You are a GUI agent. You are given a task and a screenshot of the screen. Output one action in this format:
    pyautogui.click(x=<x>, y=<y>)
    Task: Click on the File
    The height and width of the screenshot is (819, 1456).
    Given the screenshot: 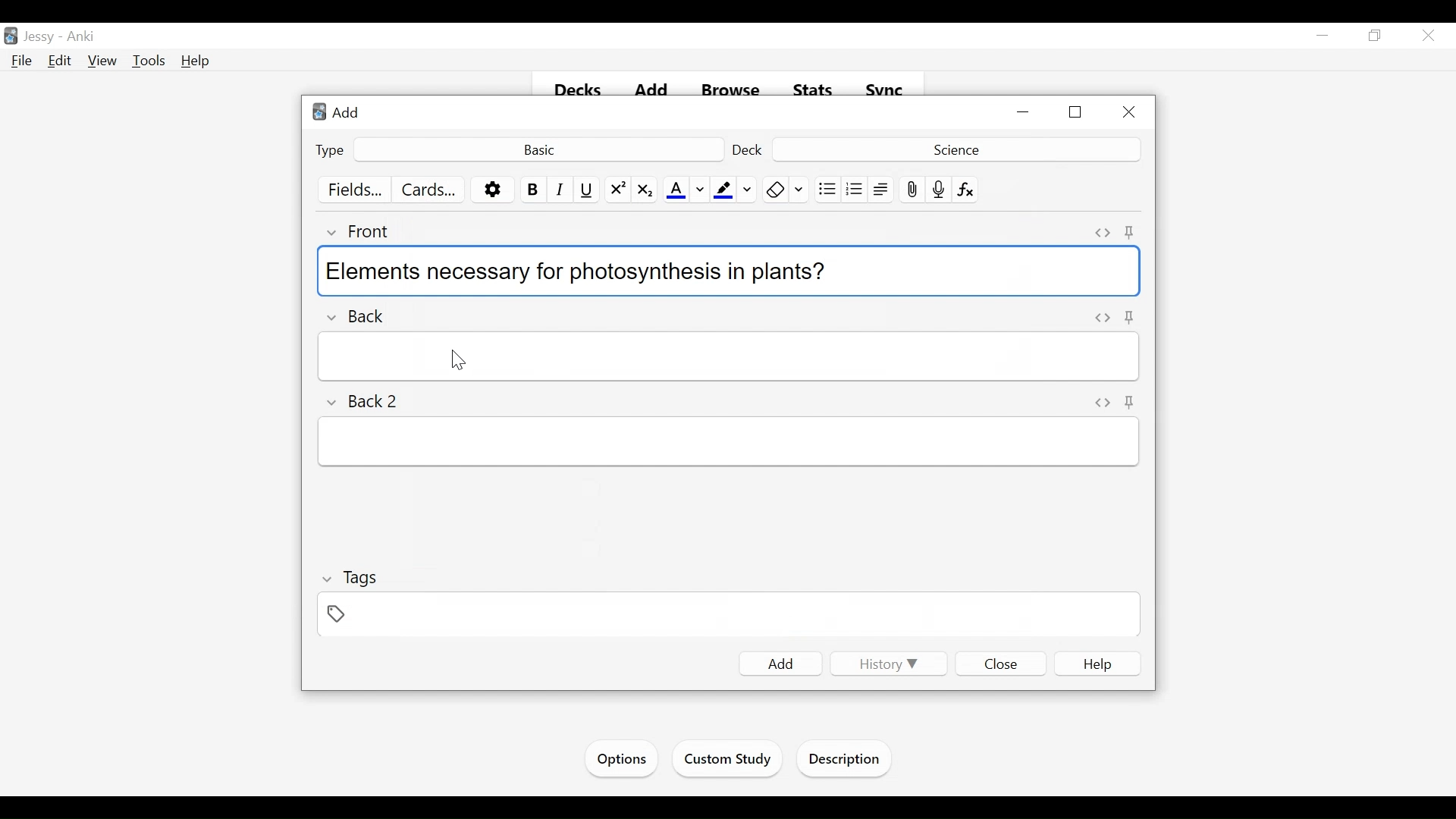 What is the action you would take?
    pyautogui.click(x=22, y=61)
    